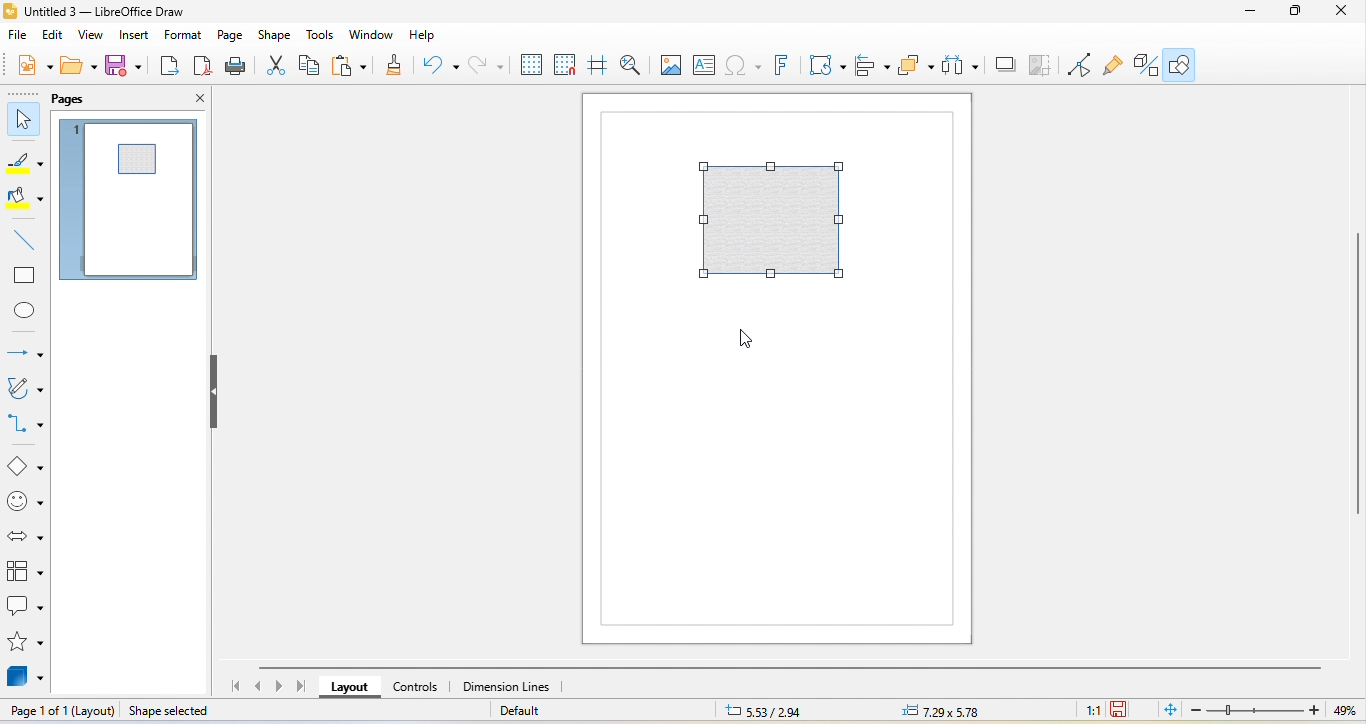 This screenshot has width=1366, height=724. What do you see at coordinates (203, 69) in the screenshot?
I see `export directly as pdf` at bounding box center [203, 69].